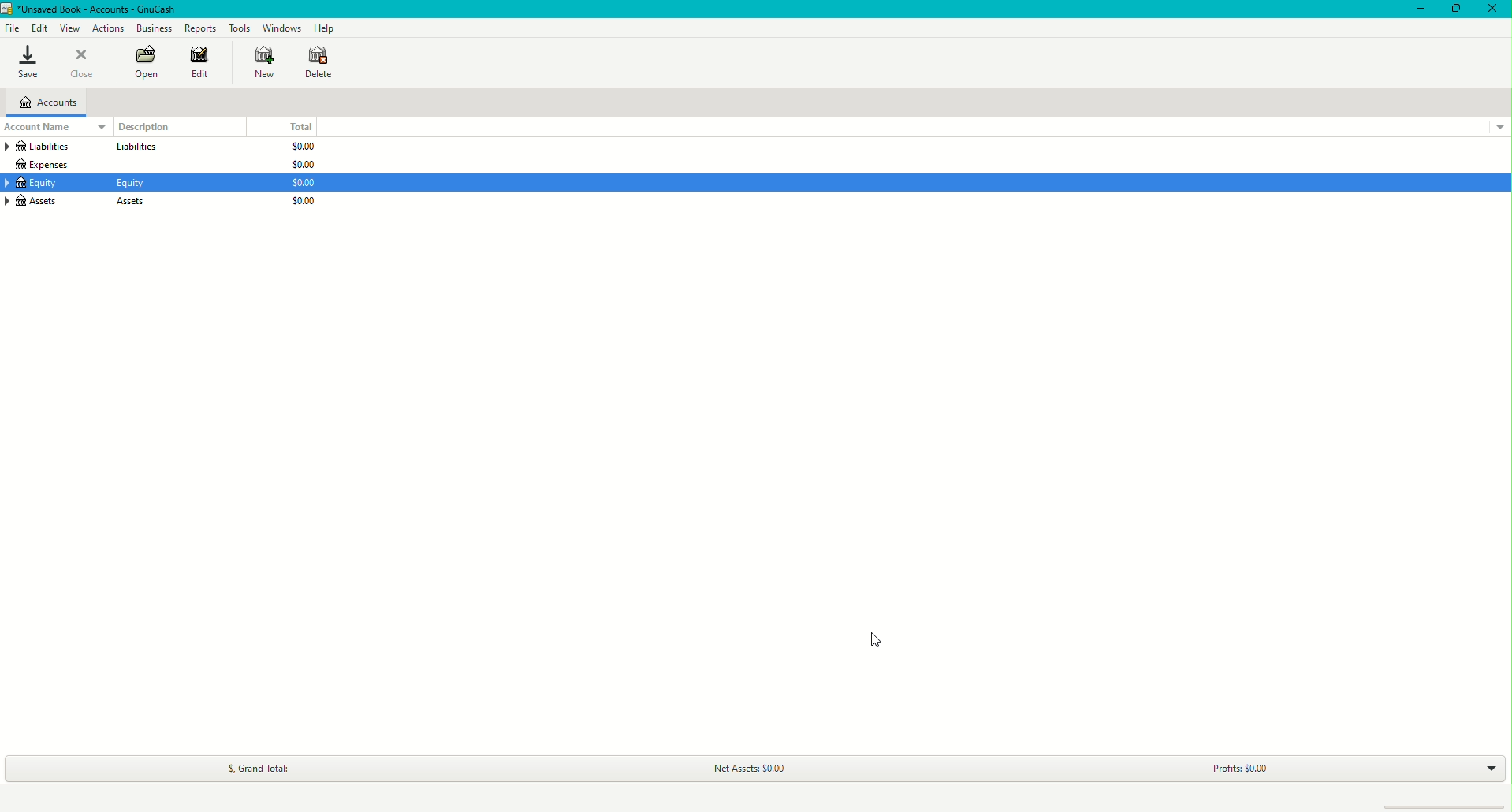 The height and width of the screenshot is (812, 1512). Describe the element at coordinates (12, 28) in the screenshot. I see `File` at that location.